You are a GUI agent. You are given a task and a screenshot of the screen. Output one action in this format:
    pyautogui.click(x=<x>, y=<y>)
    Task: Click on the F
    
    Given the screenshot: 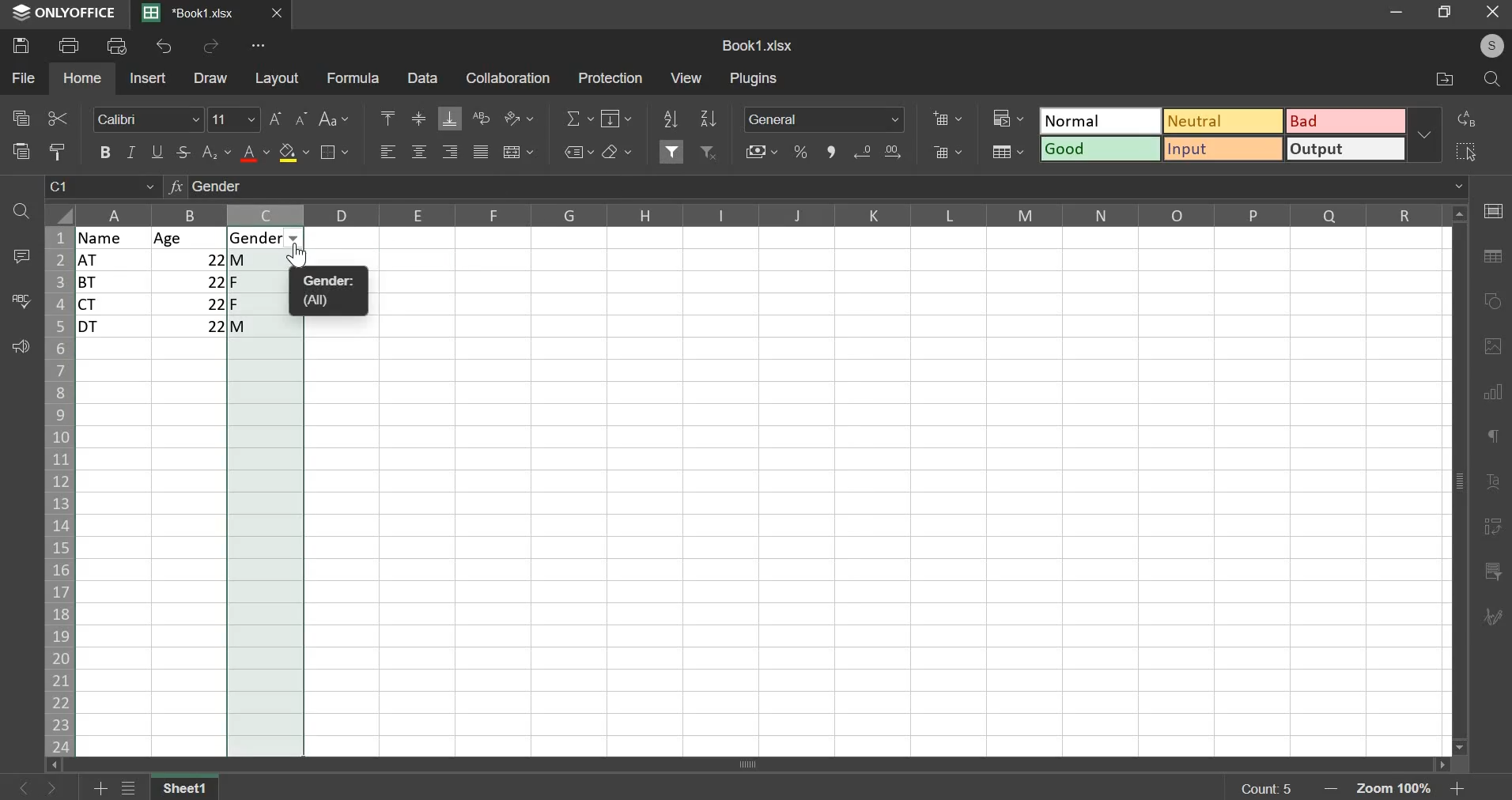 What is the action you would take?
    pyautogui.click(x=266, y=281)
    